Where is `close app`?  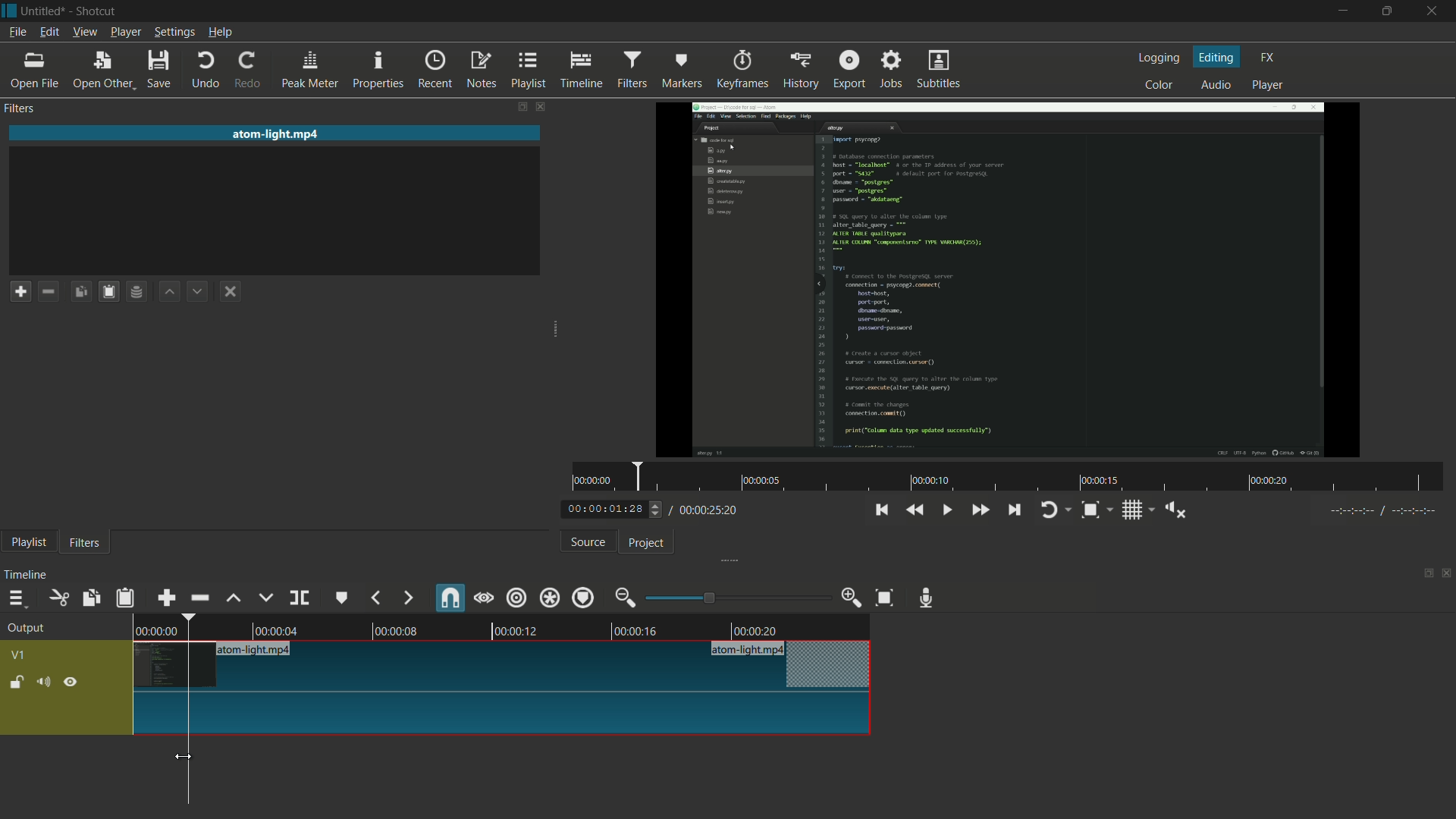 close app is located at coordinates (1437, 11).